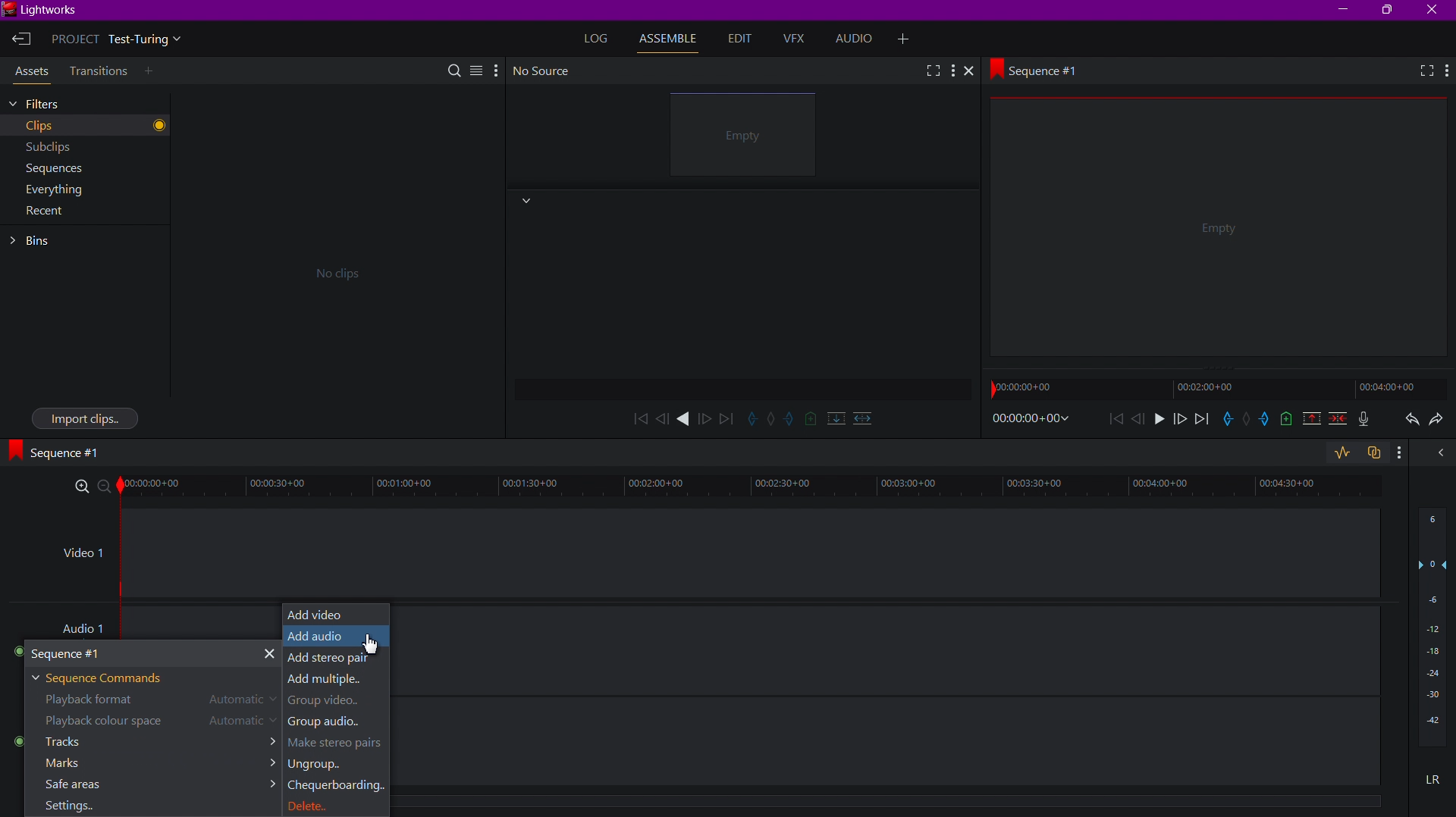  What do you see at coordinates (544, 70) in the screenshot?
I see `No Source` at bounding box center [544, 70].